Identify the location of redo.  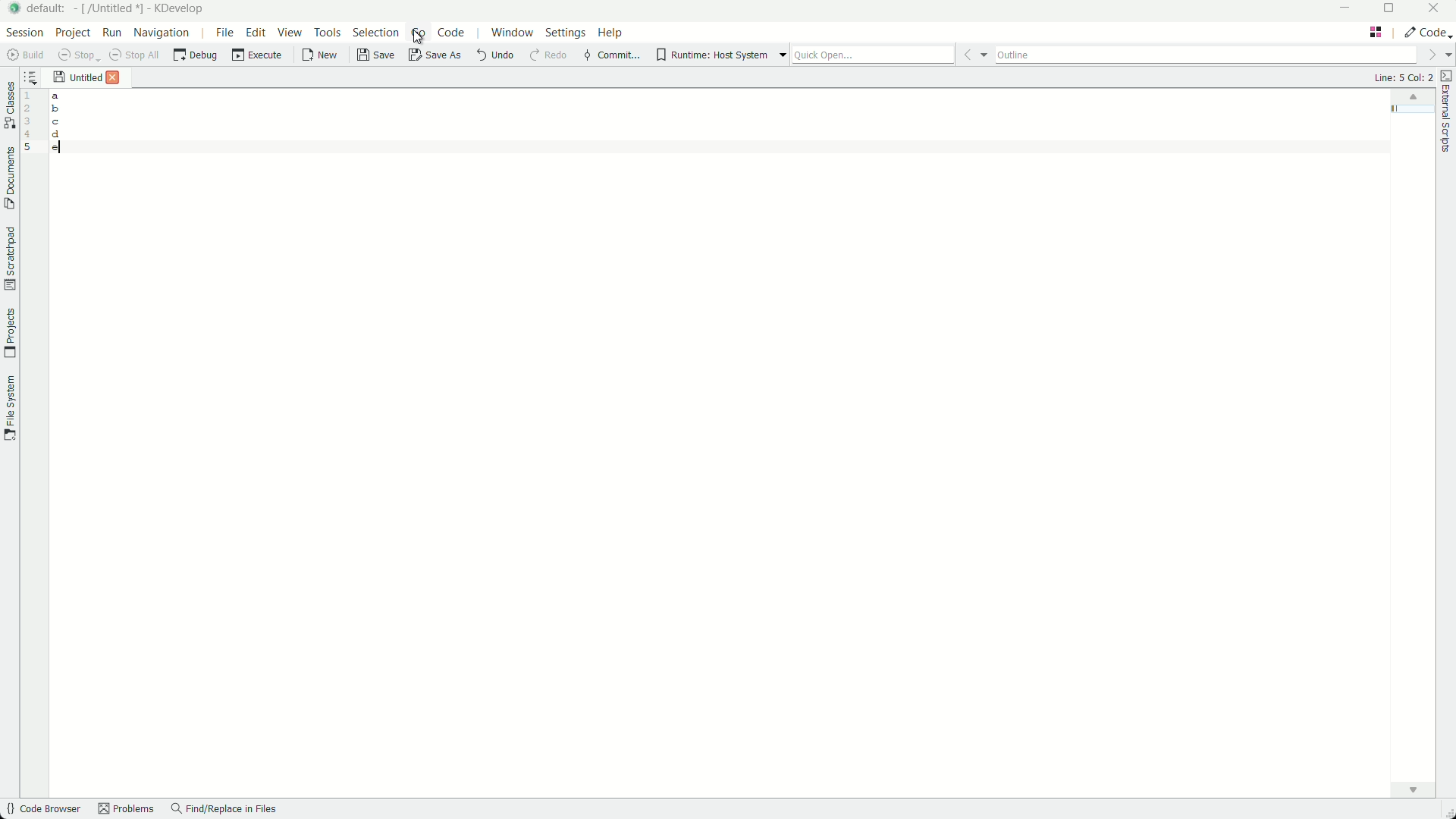
(548, 57).